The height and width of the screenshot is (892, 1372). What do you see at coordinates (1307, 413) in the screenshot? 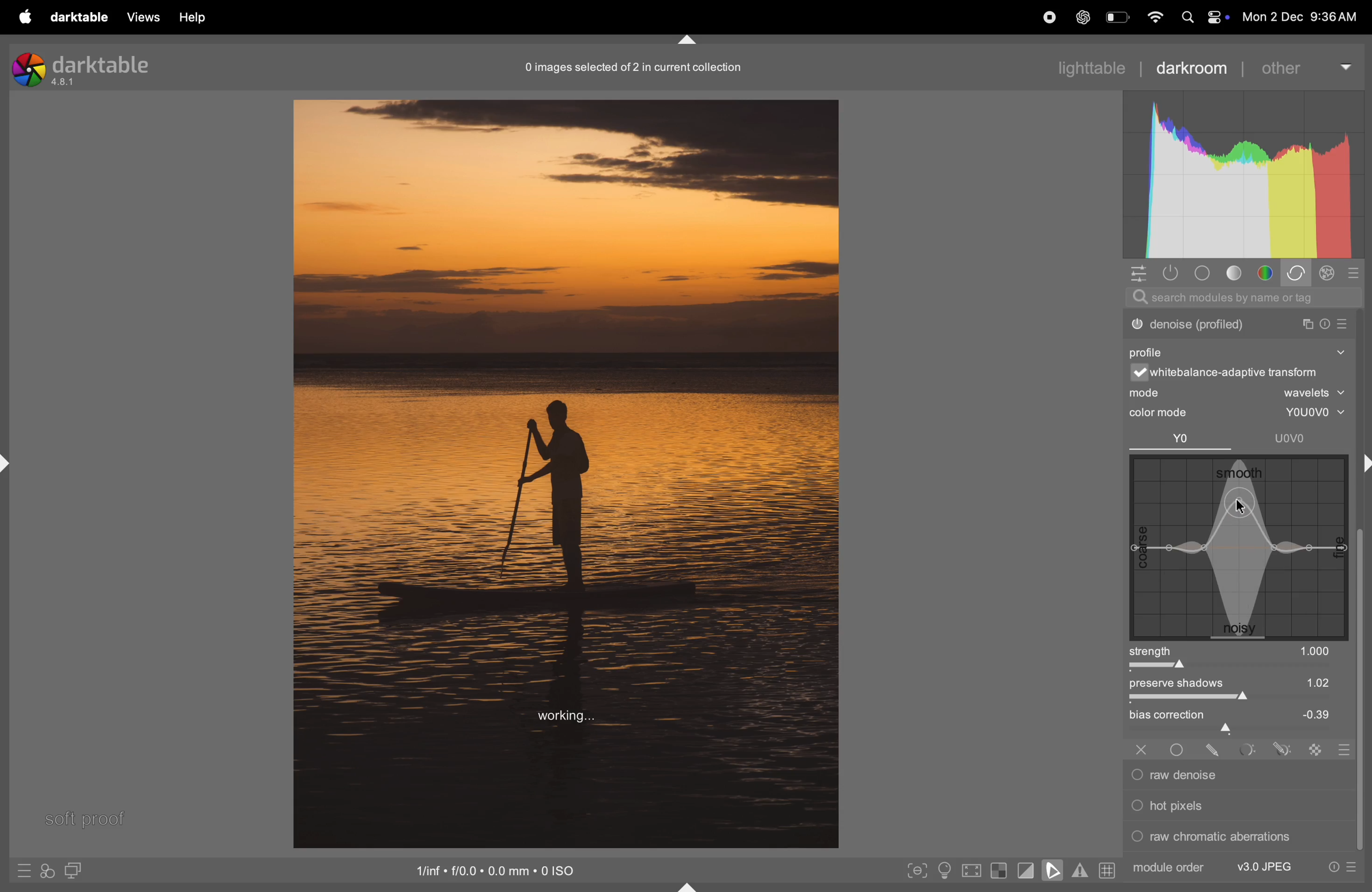
I see `youovo` at bounding box center [1307, 413].